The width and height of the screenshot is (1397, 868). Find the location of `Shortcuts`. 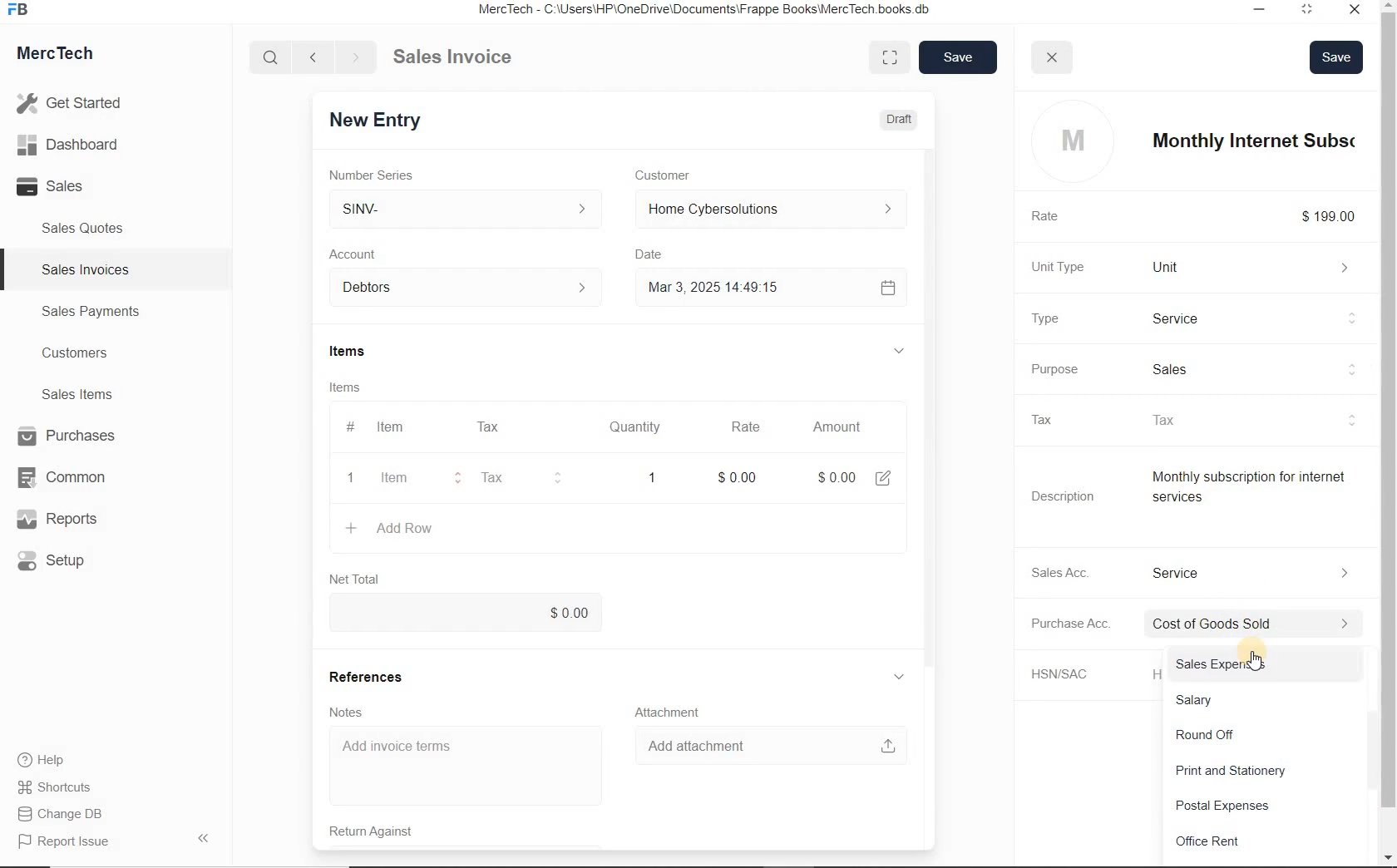

Shortcuts is located at coordinates (62, 788).